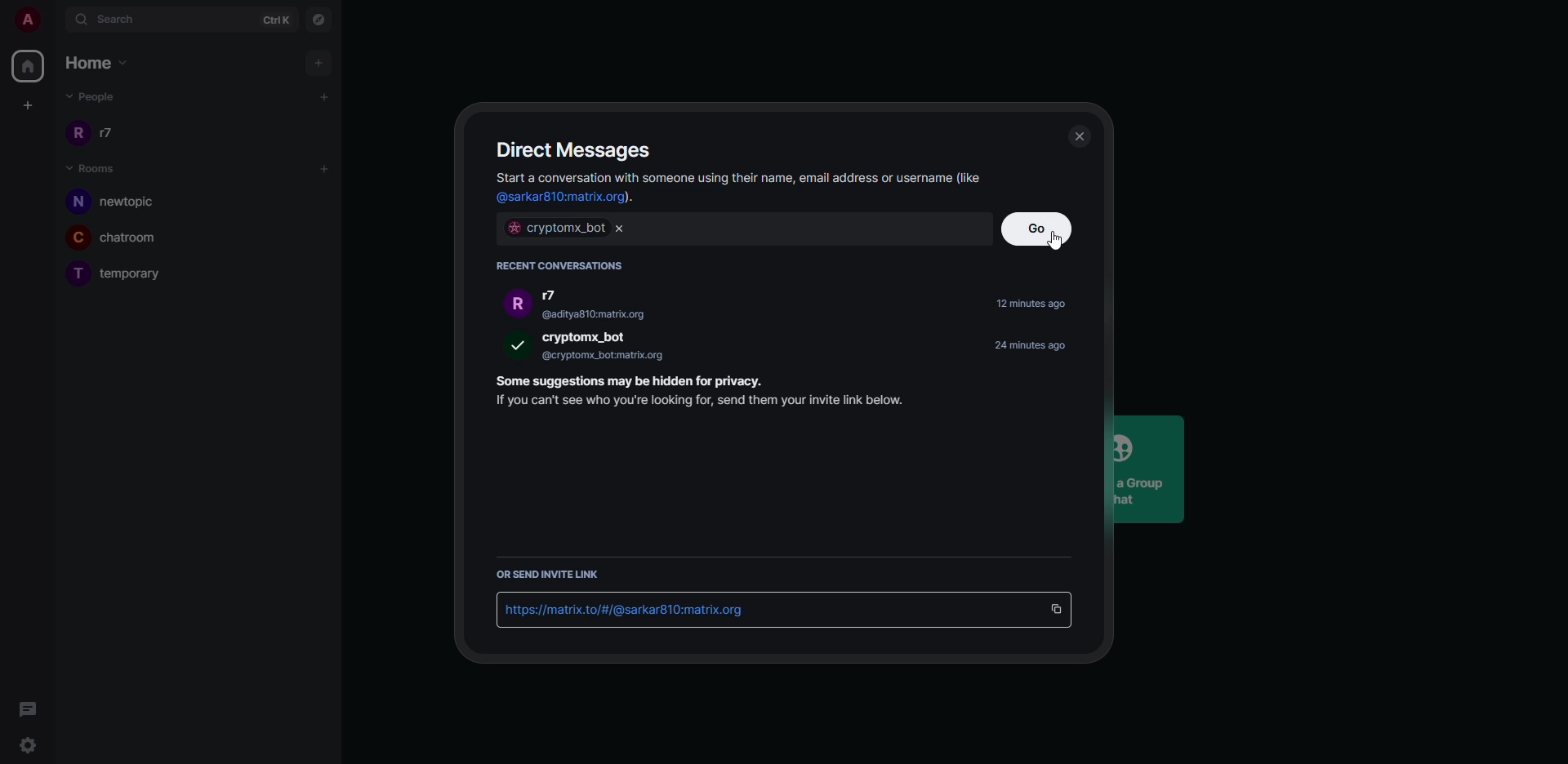 Image resolution: width=1568 pixels, height=764 pixels. Describe the element at coordinates (519, 345) in the screenshot. I see `selected` at that location.